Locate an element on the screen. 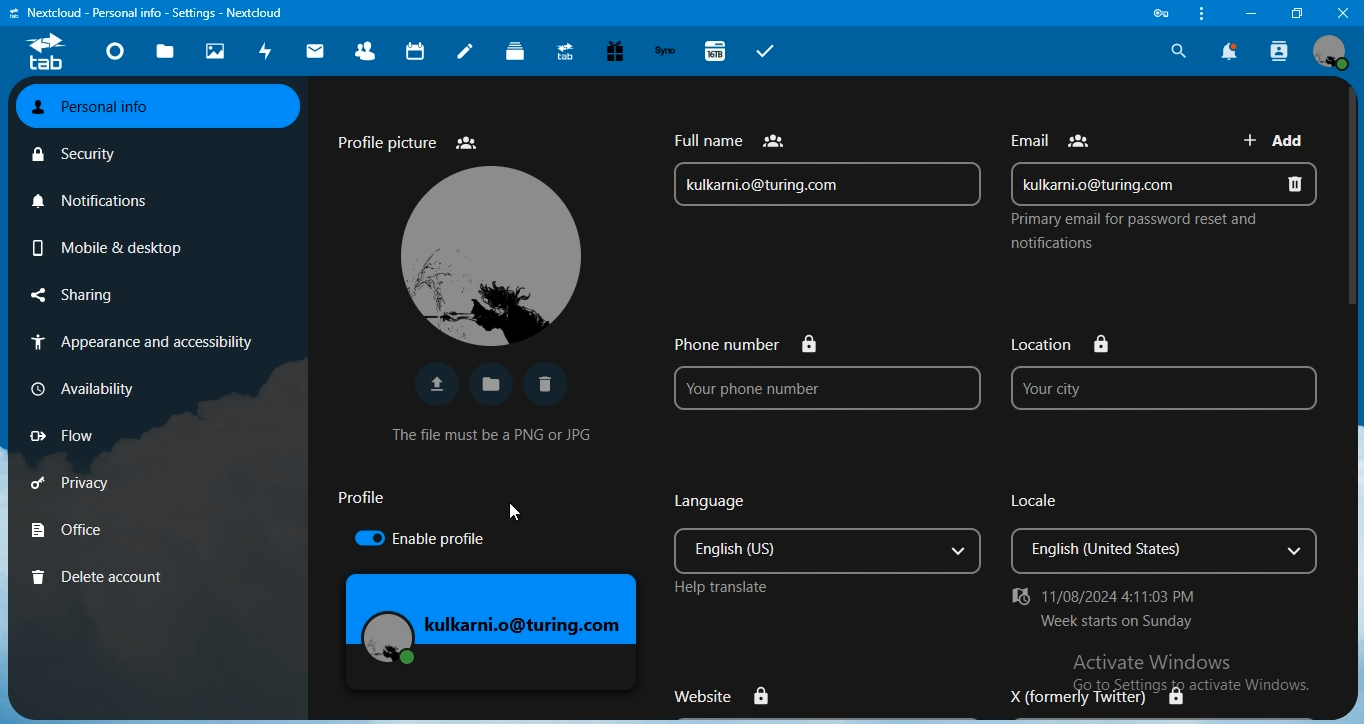  security is located at coordinates (76, 155).